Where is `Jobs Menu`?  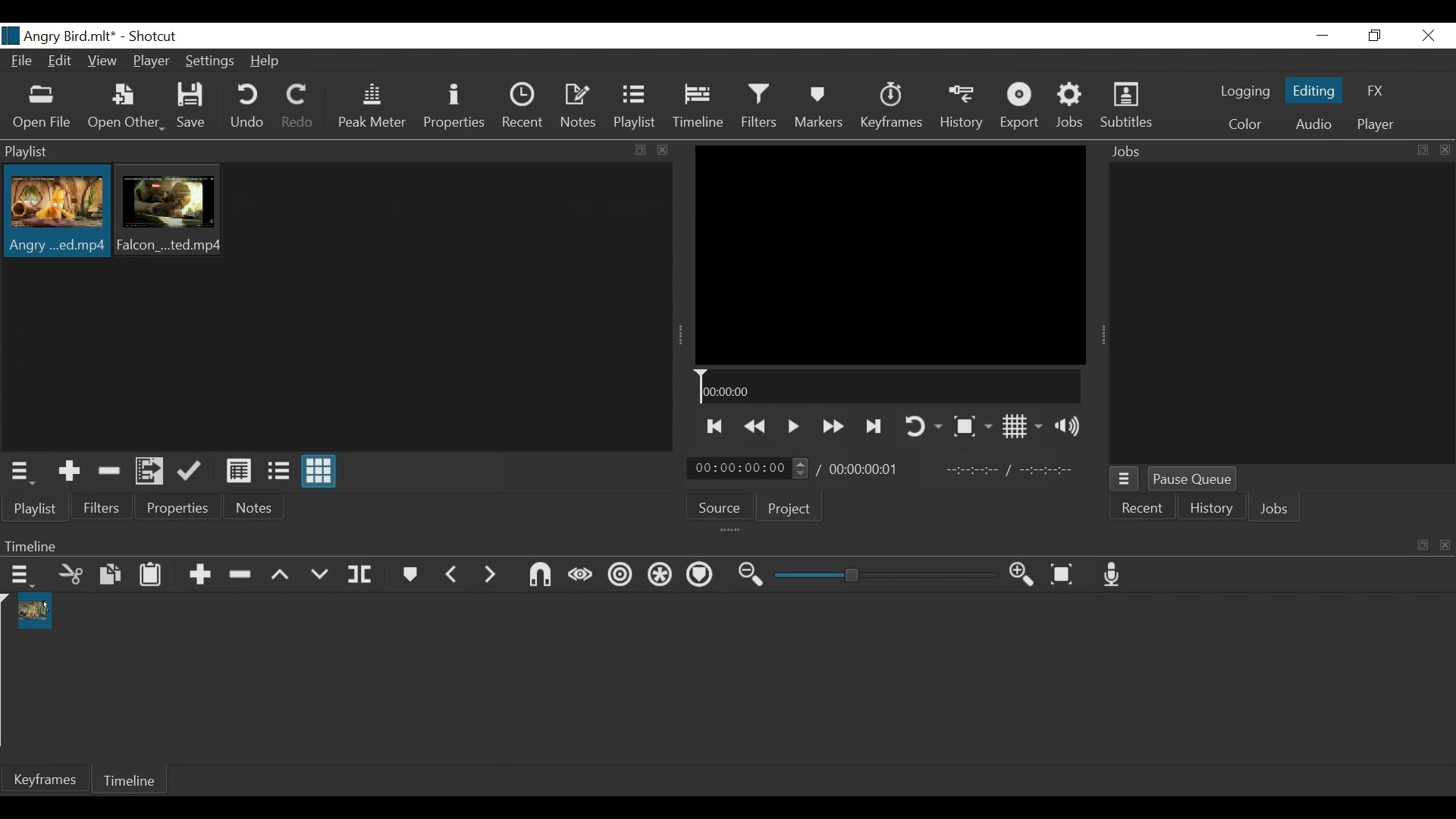 Jobs Menu is located at coordinates (1125, 479).